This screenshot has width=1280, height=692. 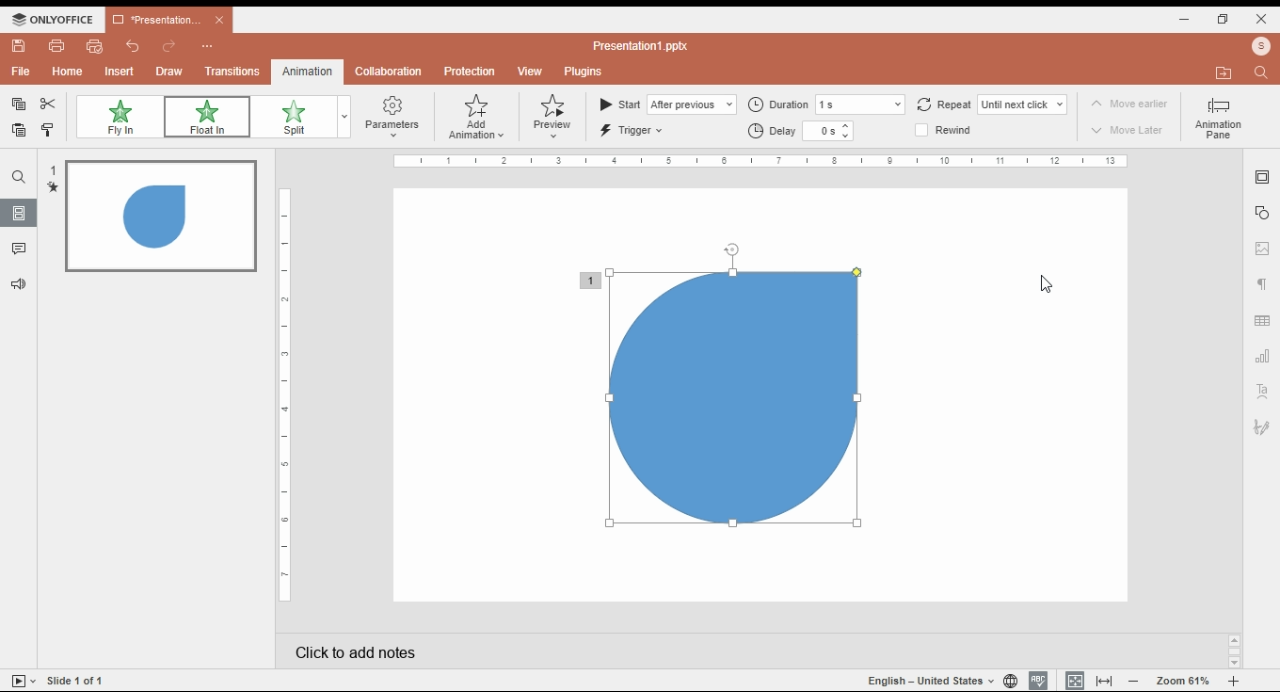 What do you see at coordinates (133, 46) in the screenshot?
I see `undo` at bounding box center [133, 46].